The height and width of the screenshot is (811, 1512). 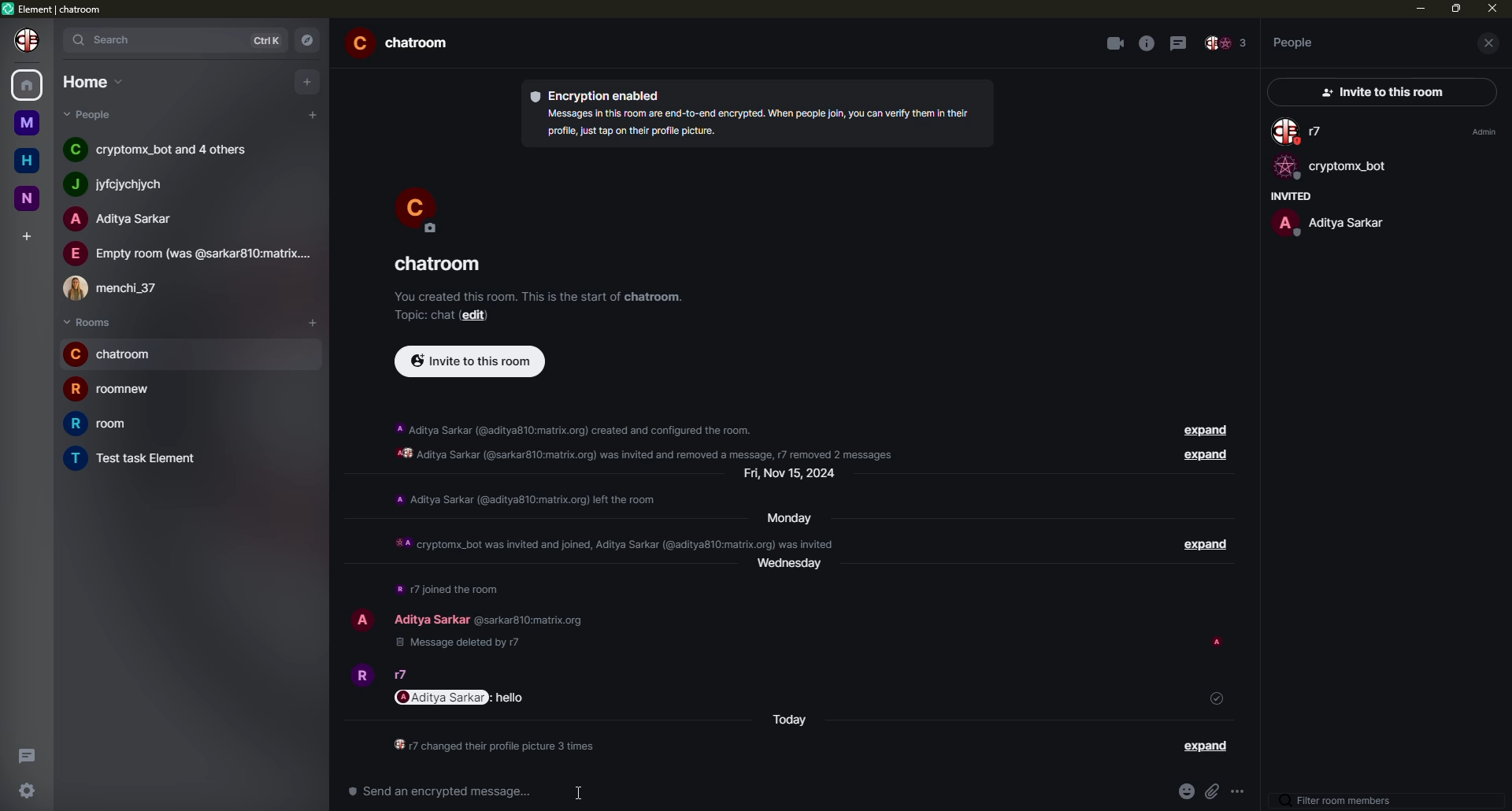 What do you see at coordinates (1242, 795) in the screenshot?
I see `options` at bounding box center [1242, 795].